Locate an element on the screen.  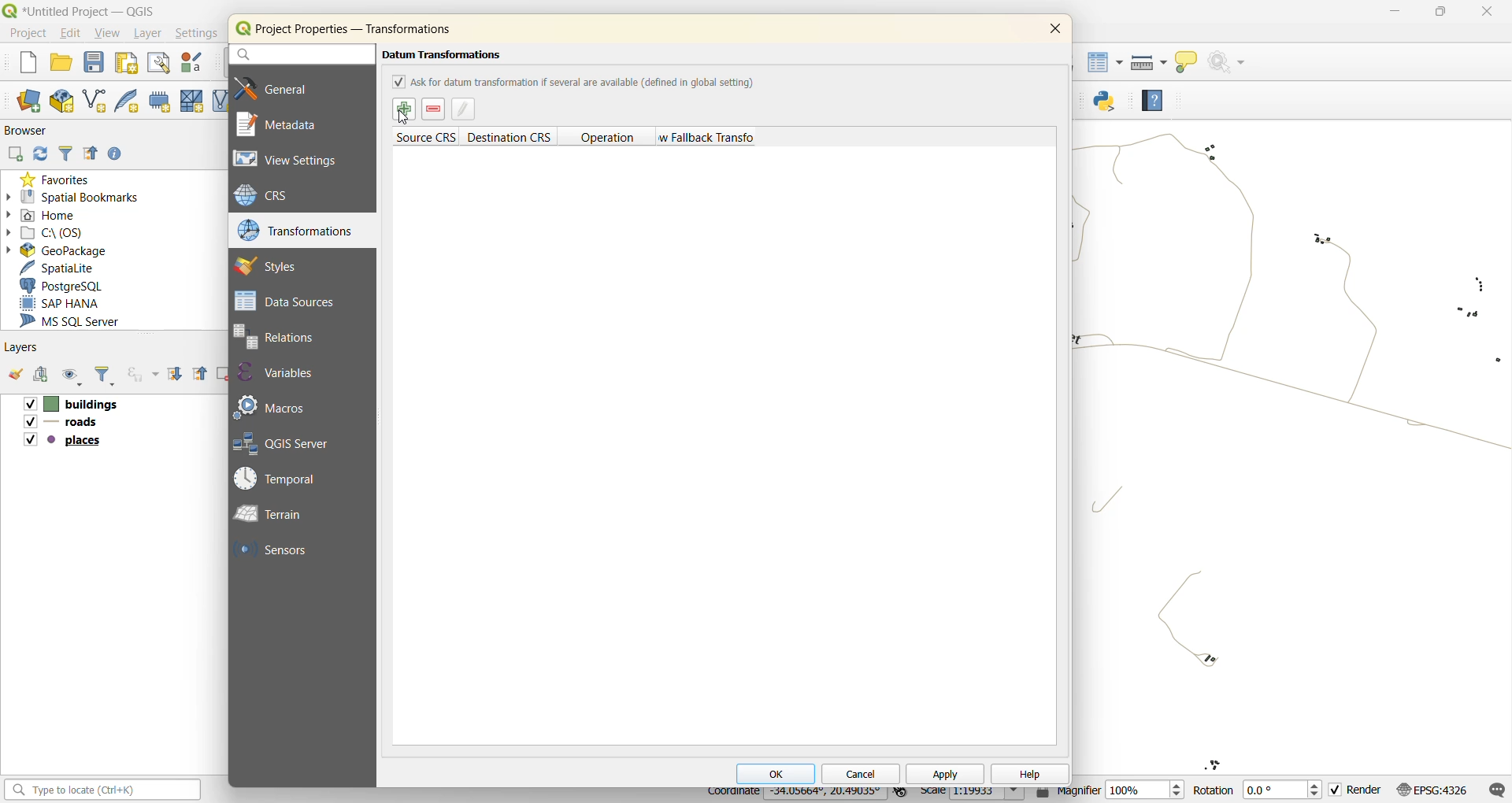
*Untitled Project — QGIS is located at coordinates (94, 11).